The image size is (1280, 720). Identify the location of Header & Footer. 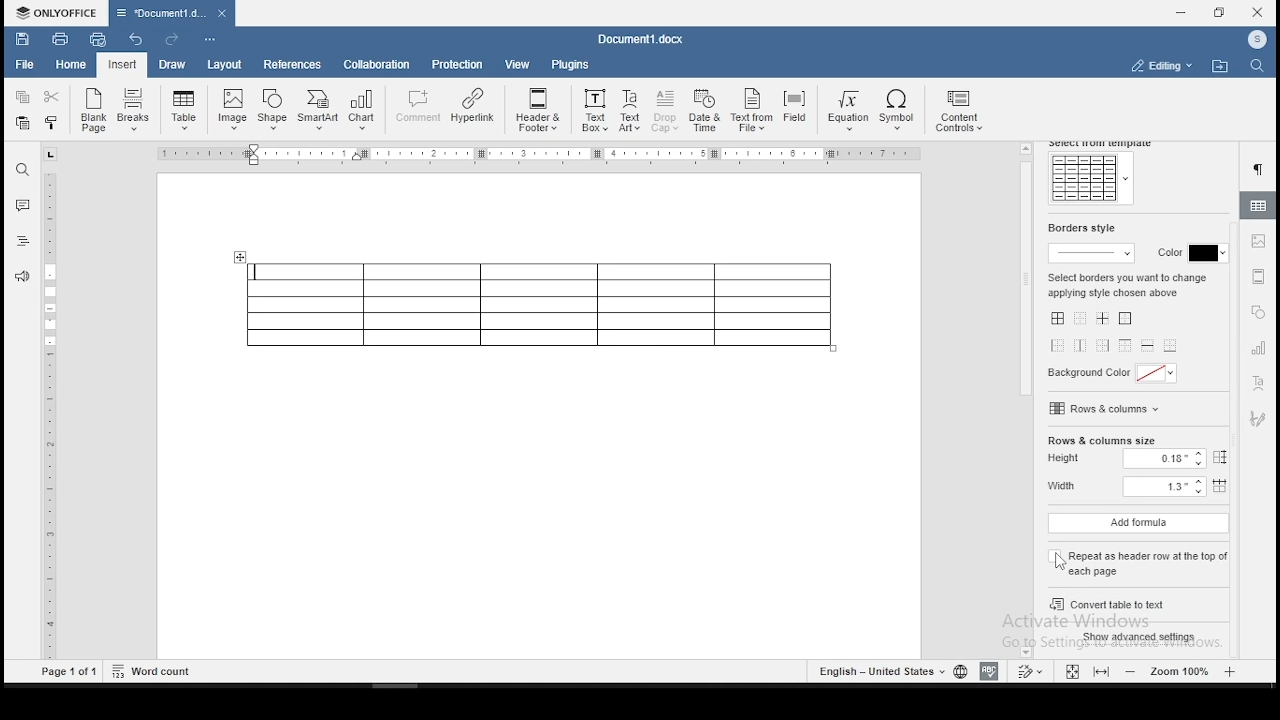
(537, 110).